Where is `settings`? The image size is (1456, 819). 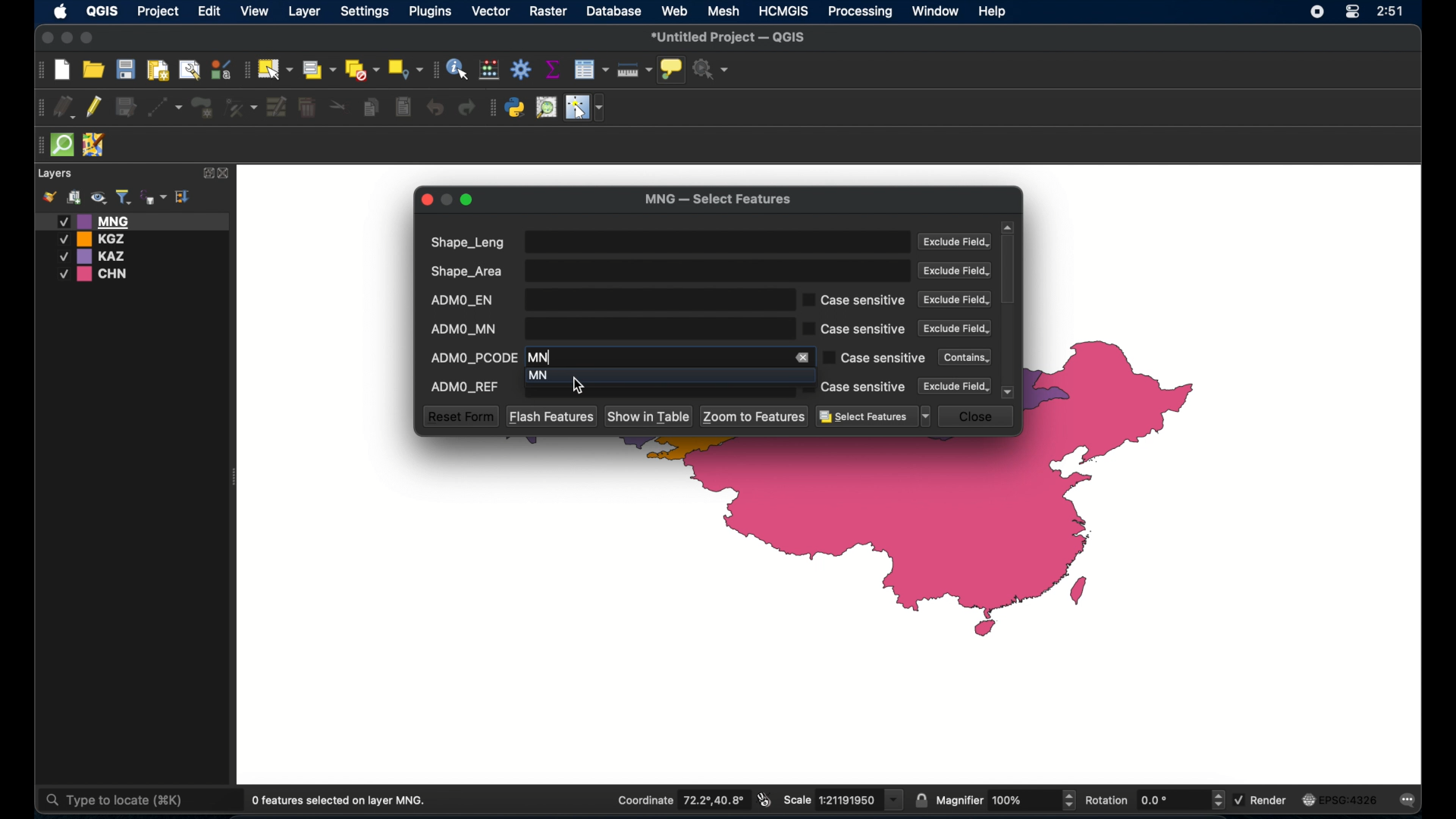
settings is located at coordinates (364, 12).